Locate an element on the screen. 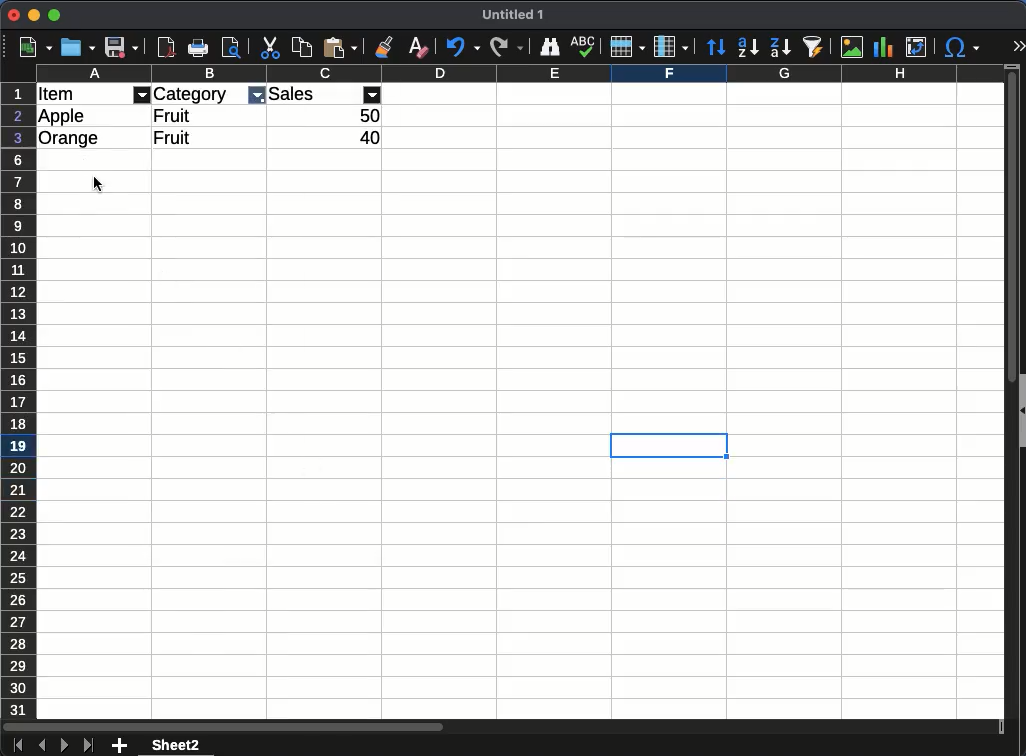  copy is located at coordinates (301, 49).